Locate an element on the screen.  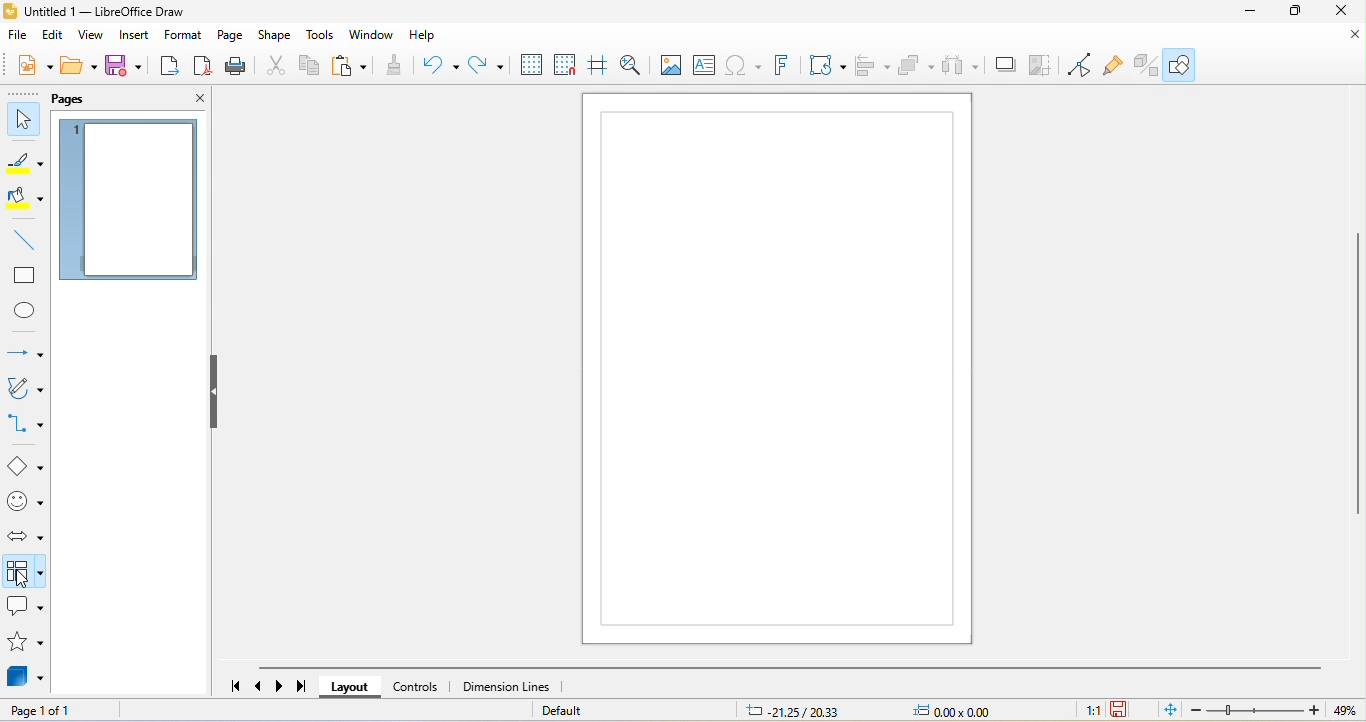
scroll to last page is located at coordinates (301, 687).